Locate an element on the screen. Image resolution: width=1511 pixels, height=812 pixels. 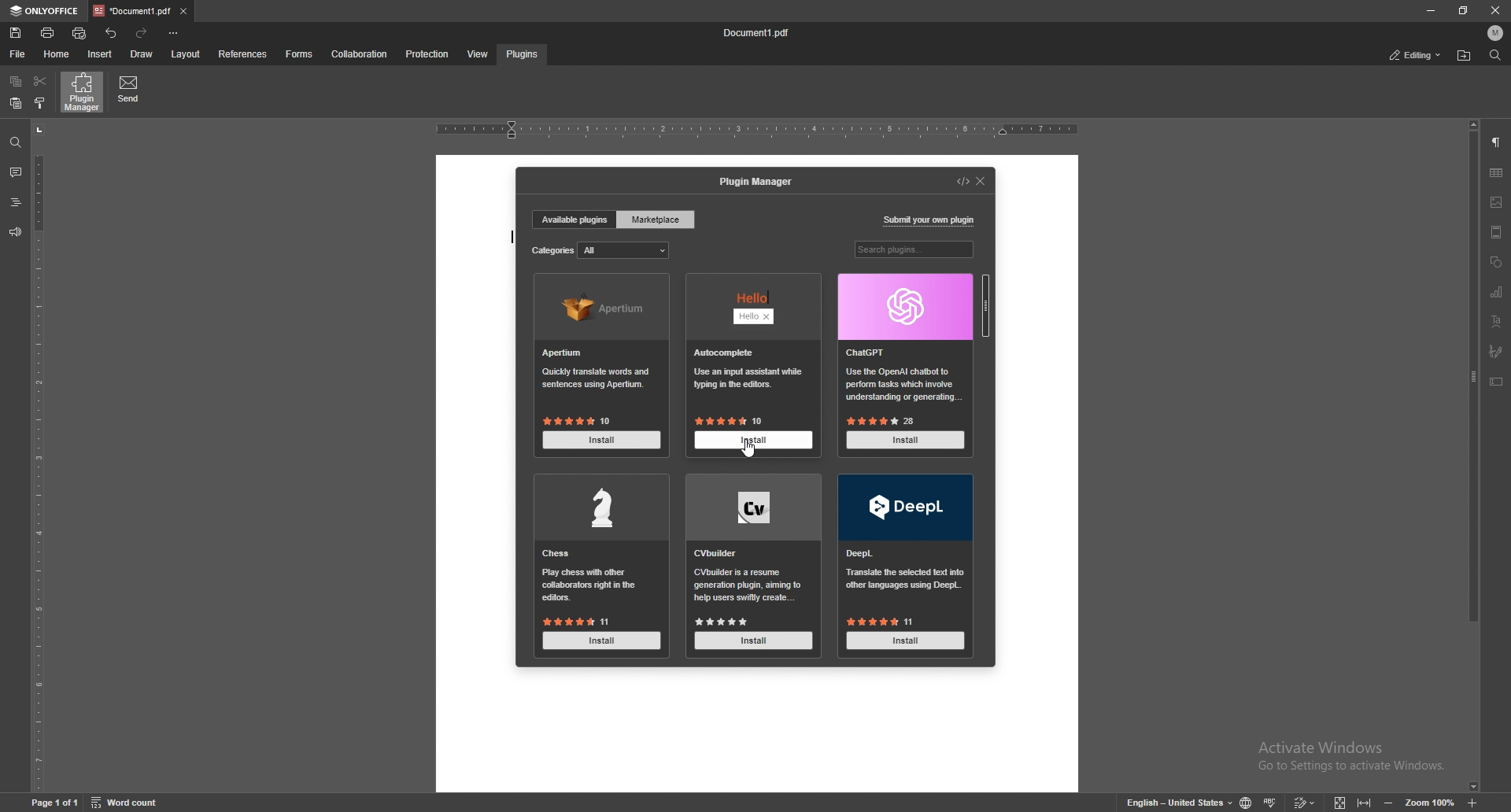
available plugins is located at coordinates (575, 220).